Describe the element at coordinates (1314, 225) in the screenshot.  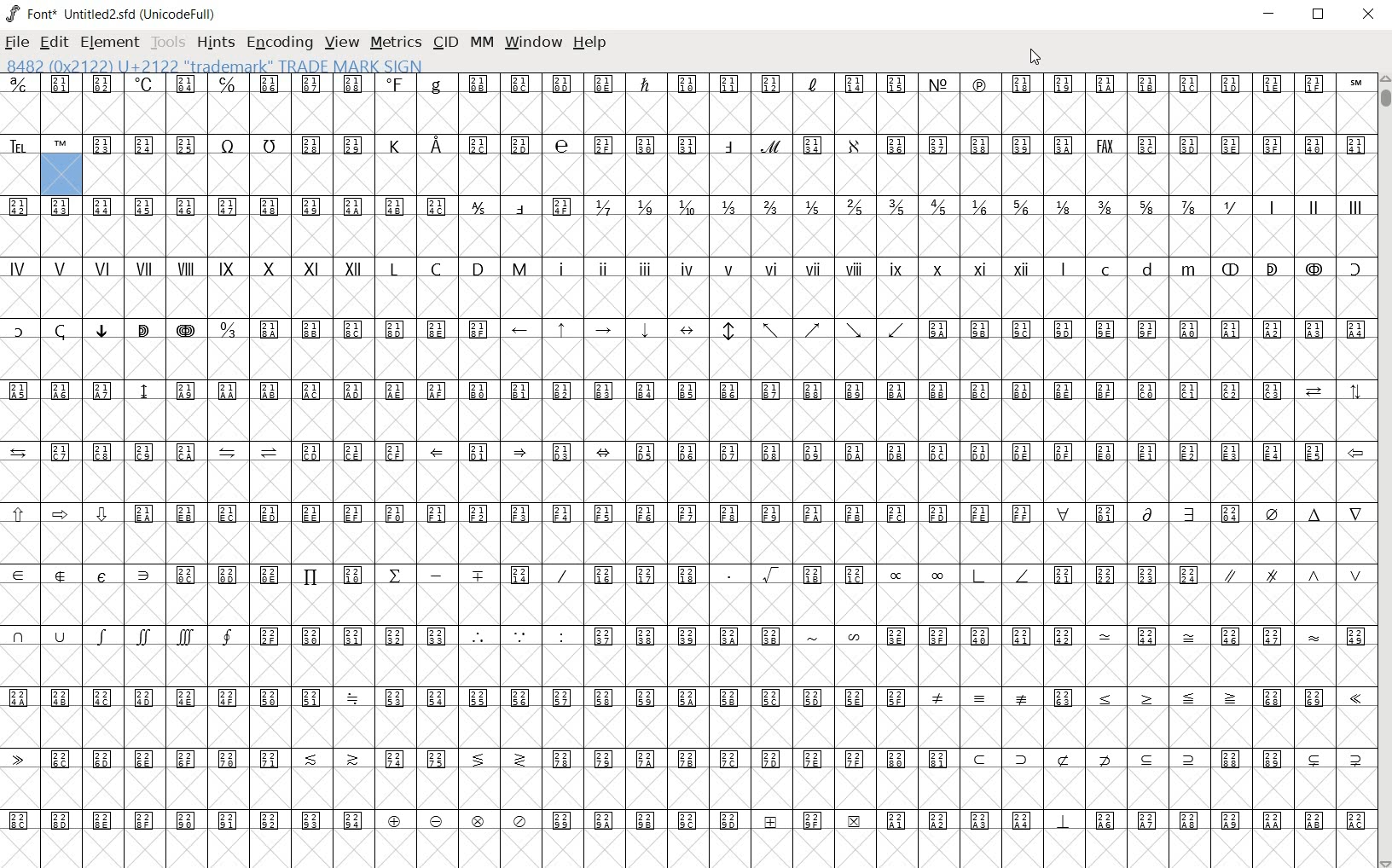
I see `roman characters` at that location.